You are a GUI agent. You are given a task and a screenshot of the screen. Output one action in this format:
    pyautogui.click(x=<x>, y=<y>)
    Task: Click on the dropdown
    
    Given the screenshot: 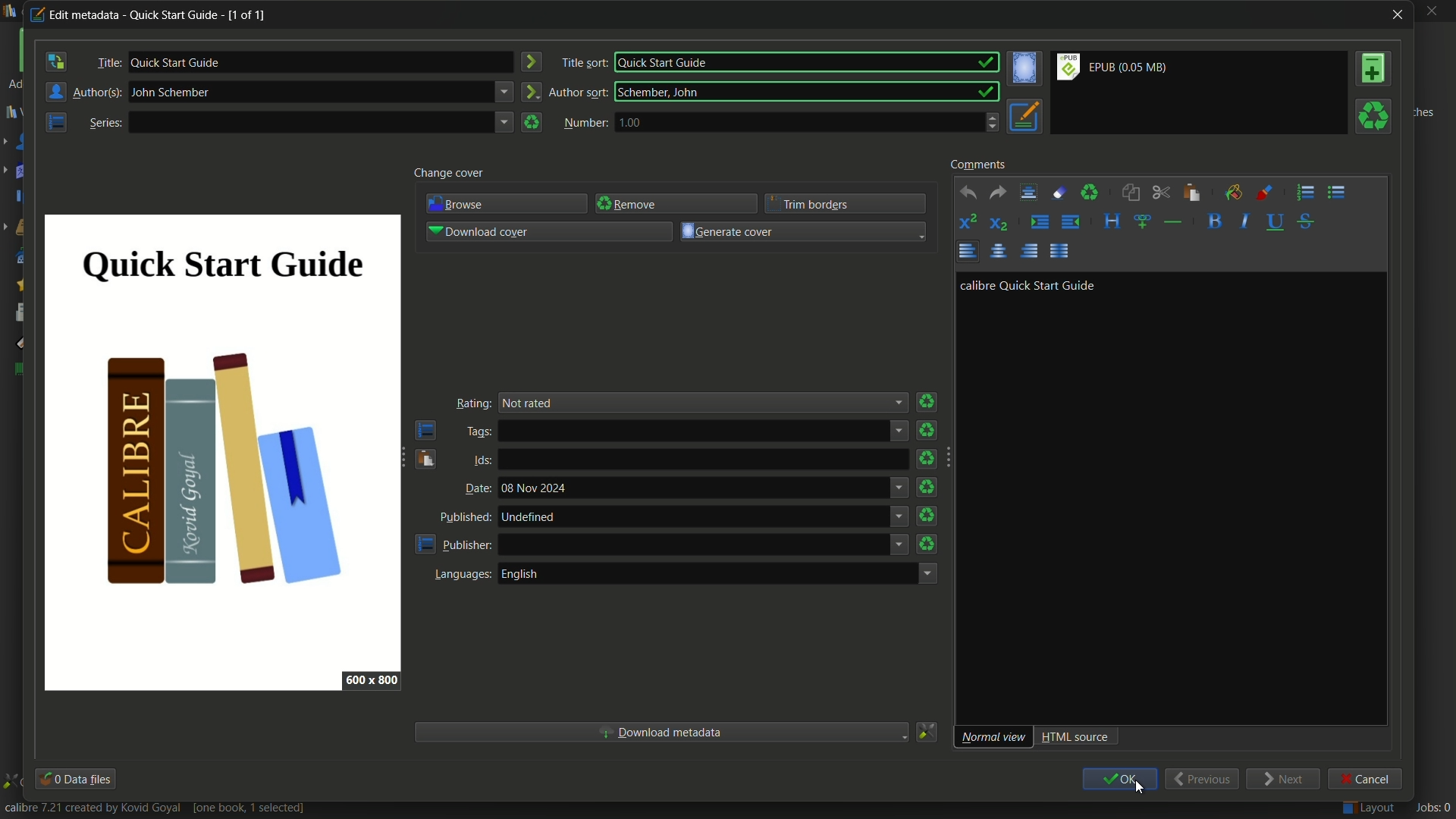 What is the action you would take?
    pyautogui.click(x=895, y=432)
    